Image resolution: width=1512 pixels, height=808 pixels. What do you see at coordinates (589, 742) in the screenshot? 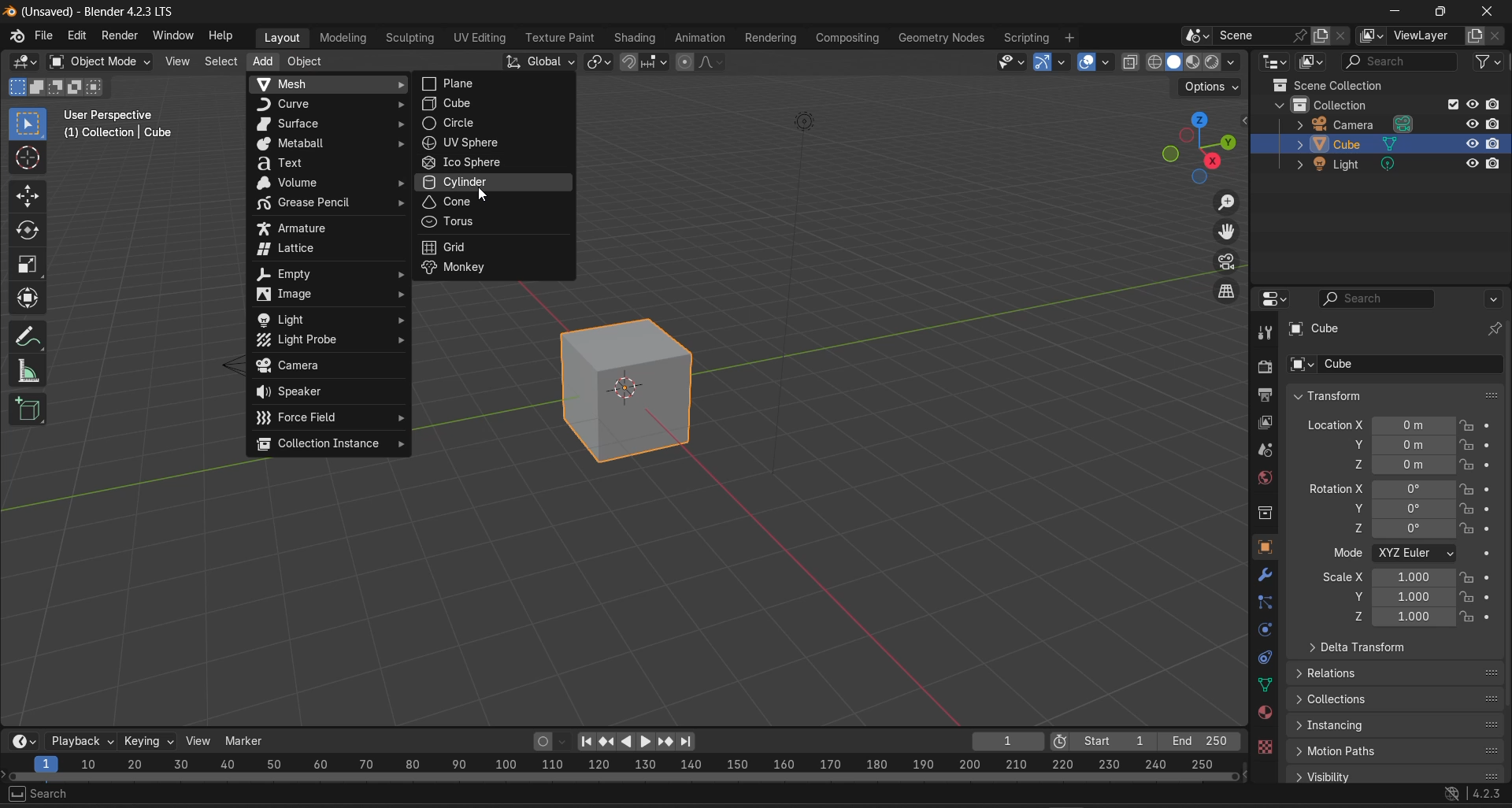
I see `jump to endpoint` at bounding box center [589, 742].